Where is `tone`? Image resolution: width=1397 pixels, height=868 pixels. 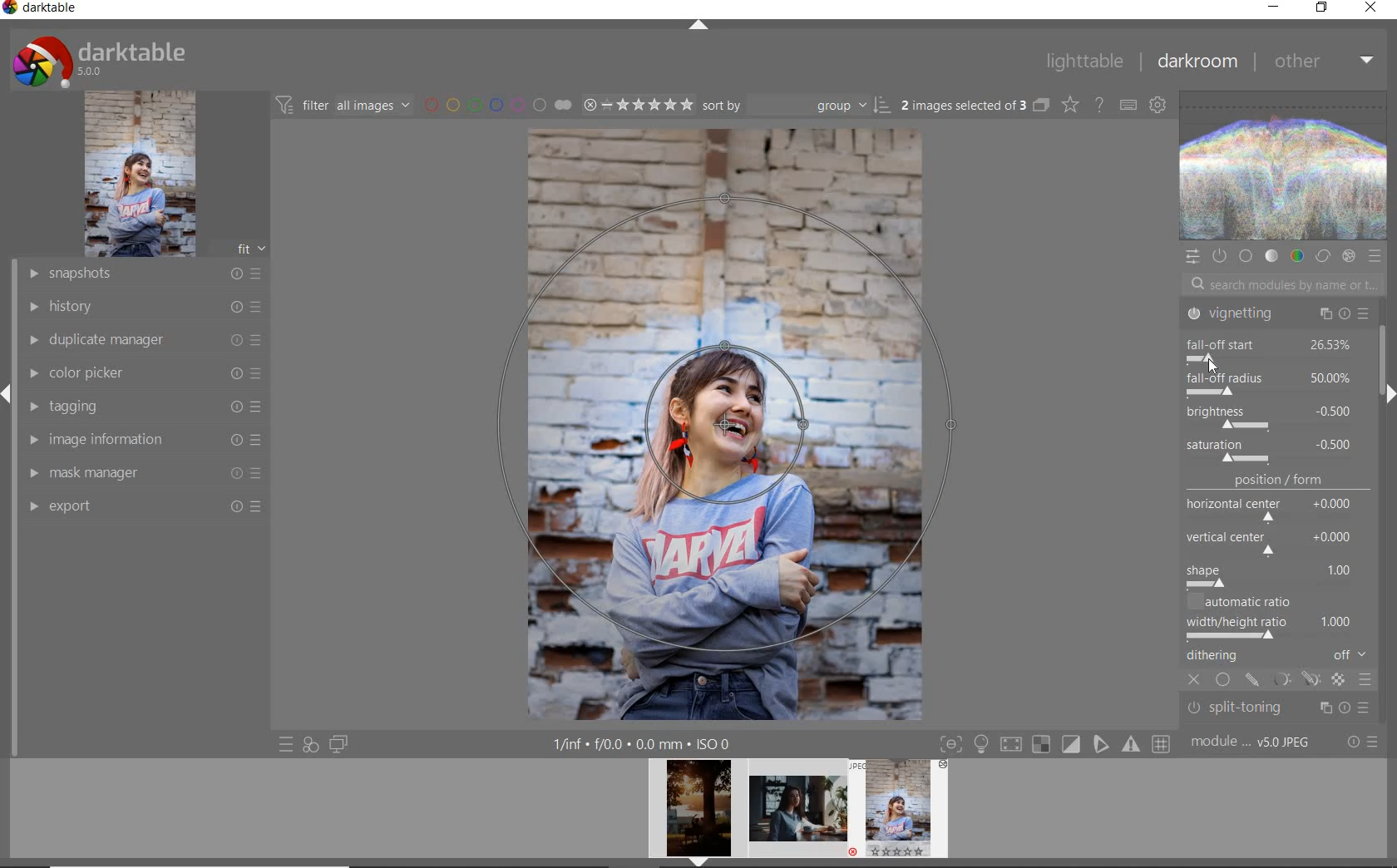 tone is located at coordinates (1272, 257).